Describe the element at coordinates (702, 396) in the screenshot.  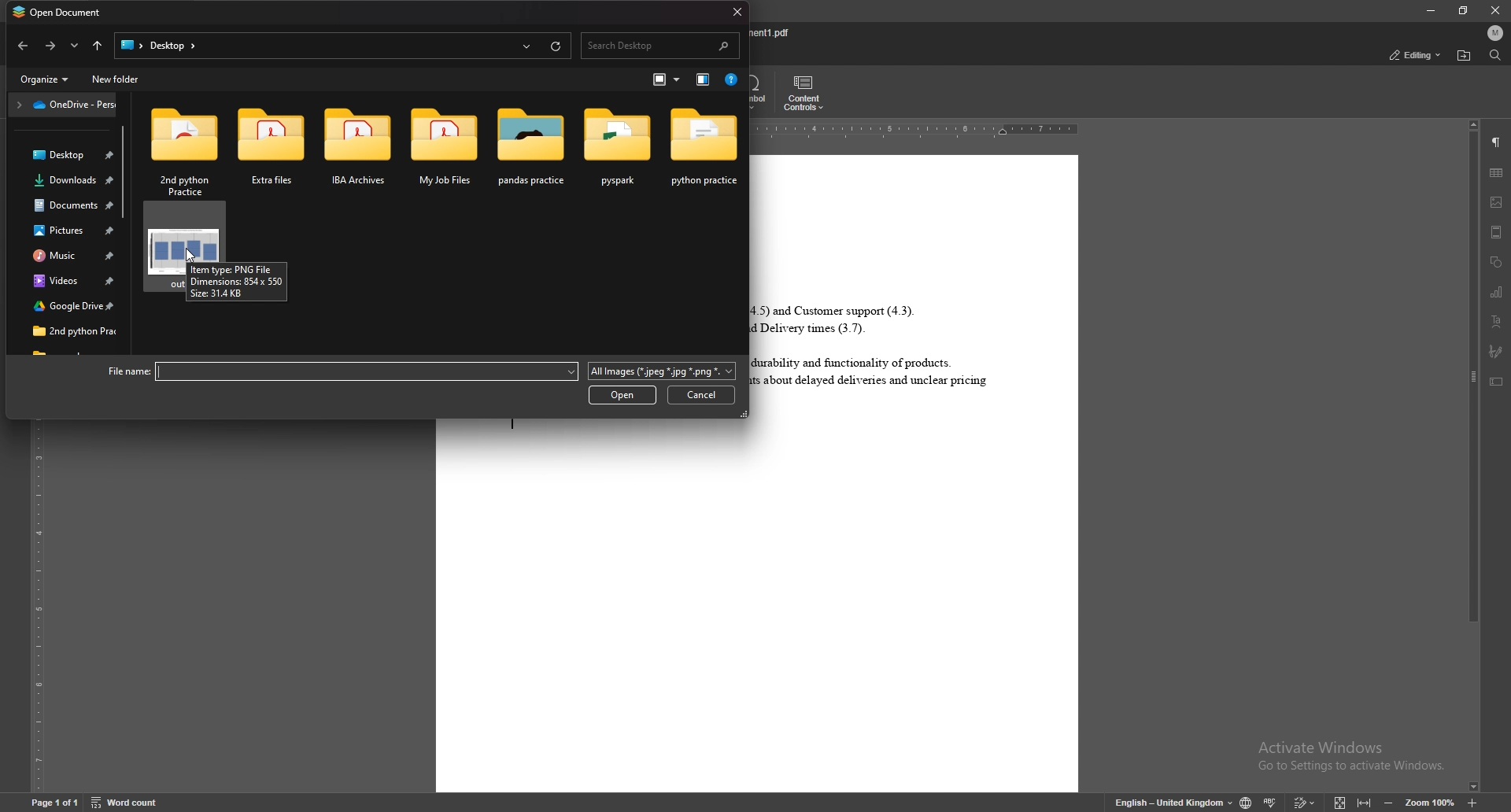
I see `cancel` at that location.